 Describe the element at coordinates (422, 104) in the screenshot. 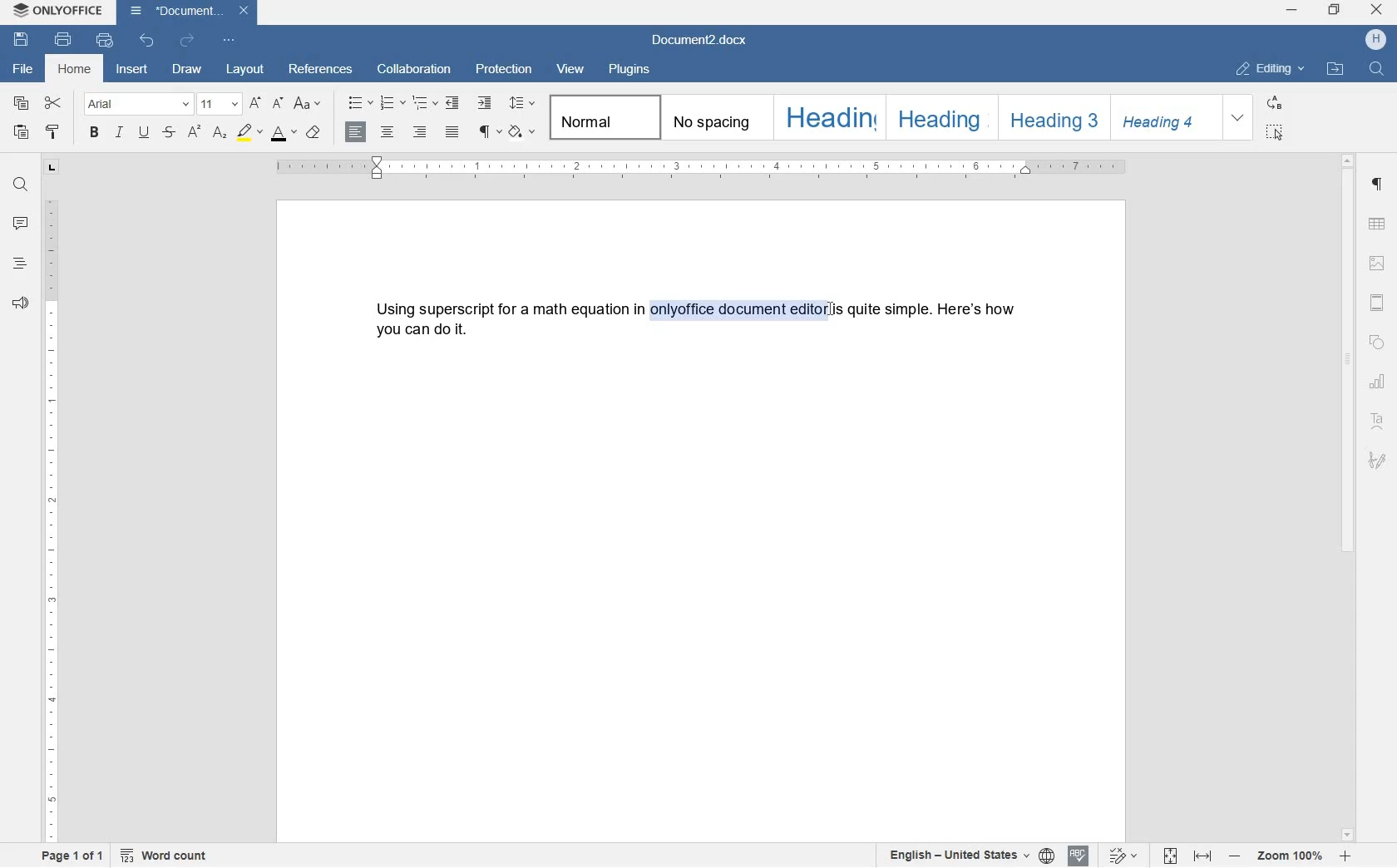

I see `multilevel list` at that location.